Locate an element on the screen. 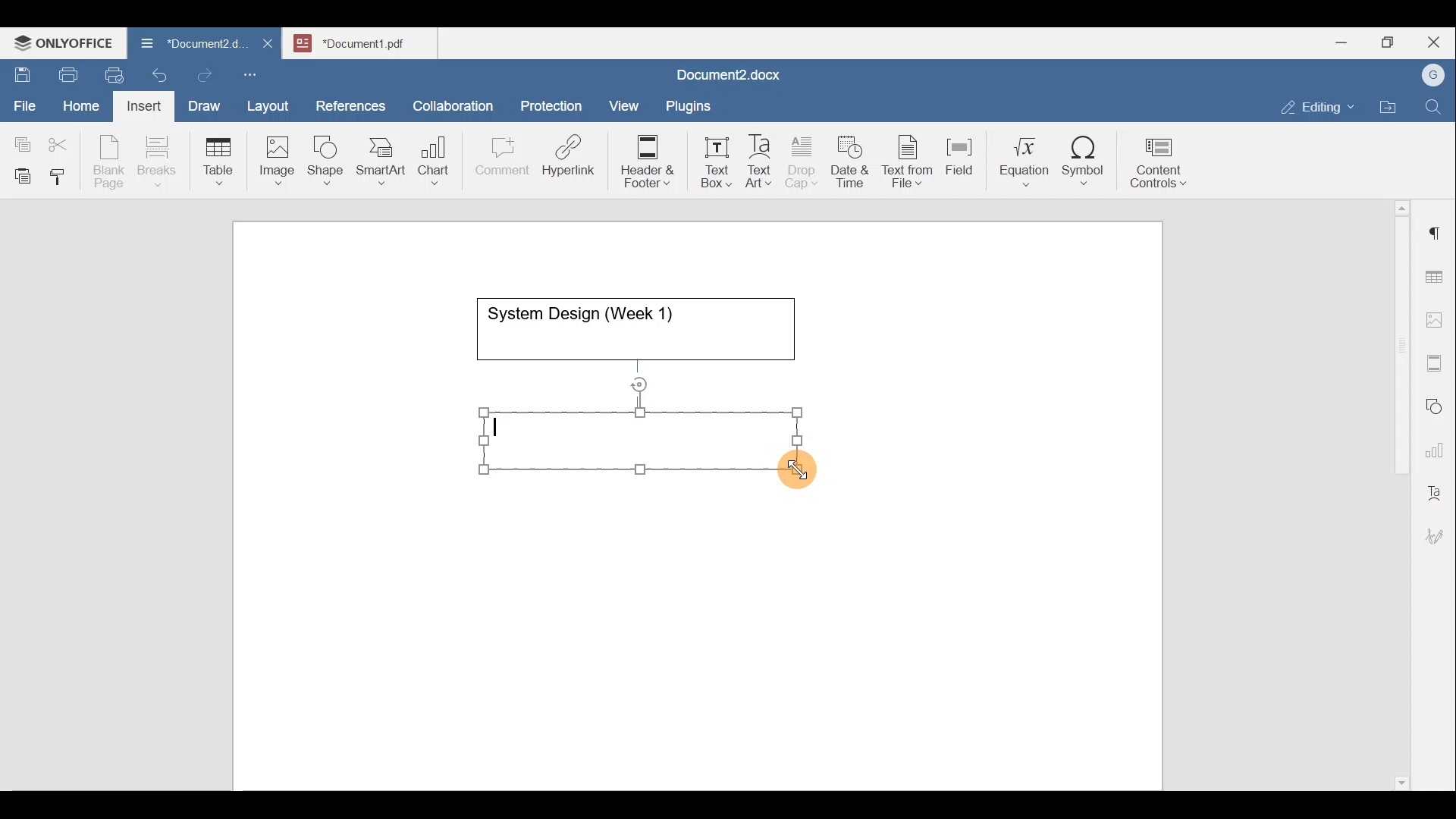 The image size is (1456, 819). ONLYOFFICE is located at coordinates (64, 42).